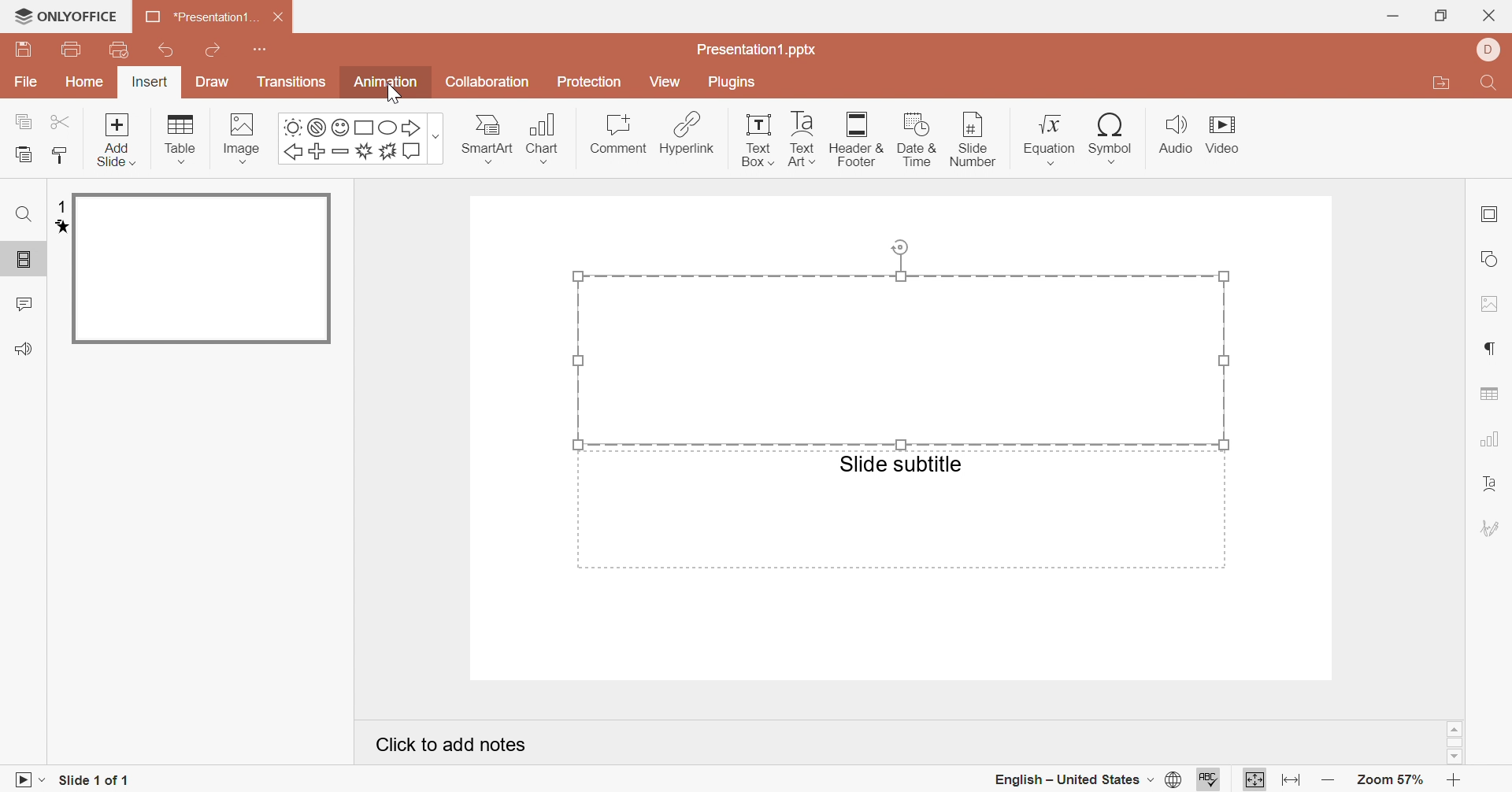  What do you see at coordinates (1487, 15) in the screenshot?
I see `close` at bounding box center [1487, 15].